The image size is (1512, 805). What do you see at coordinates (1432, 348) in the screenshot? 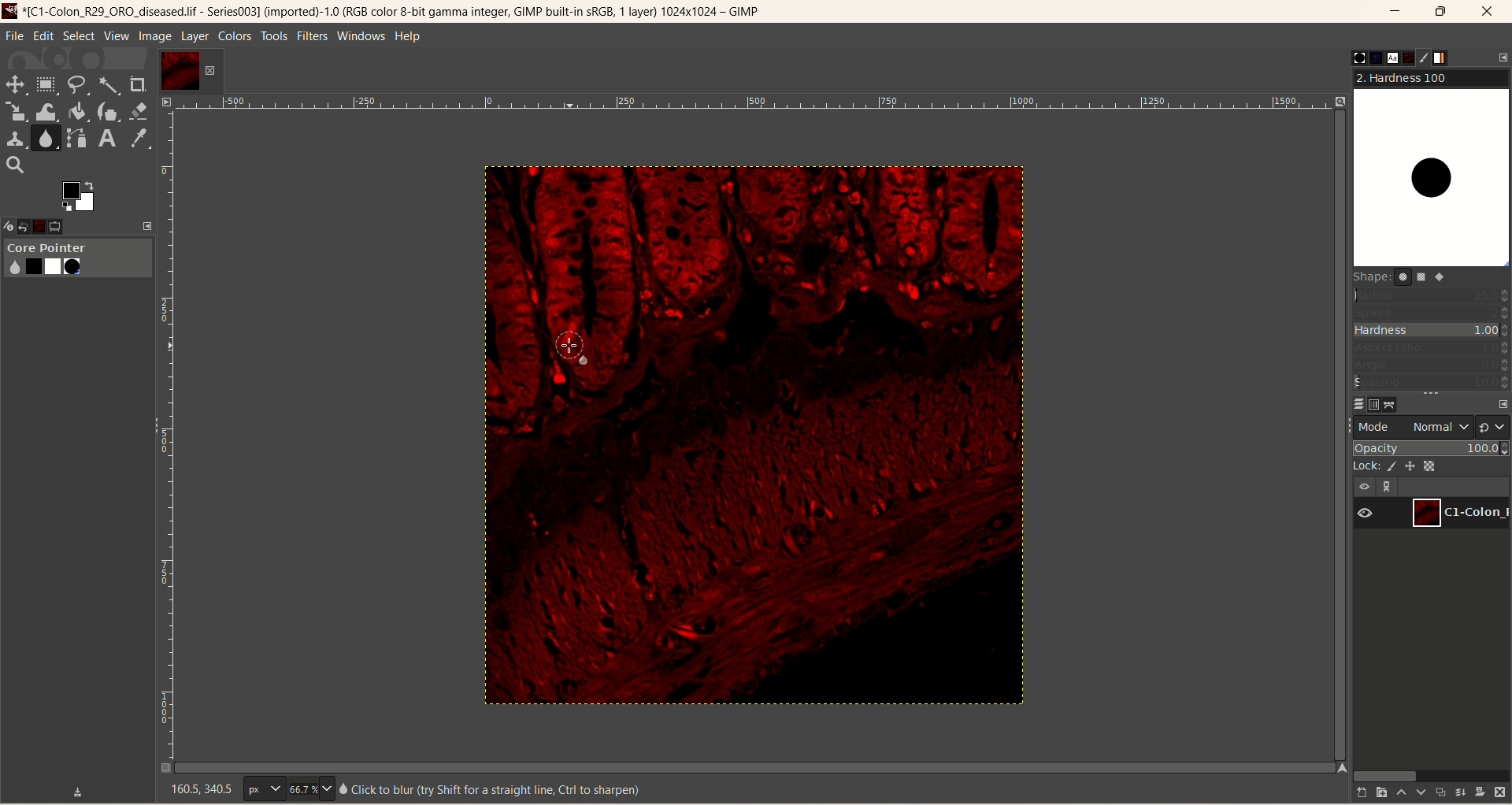
I see `aspect ratio` at bounding box center [1432, 348].